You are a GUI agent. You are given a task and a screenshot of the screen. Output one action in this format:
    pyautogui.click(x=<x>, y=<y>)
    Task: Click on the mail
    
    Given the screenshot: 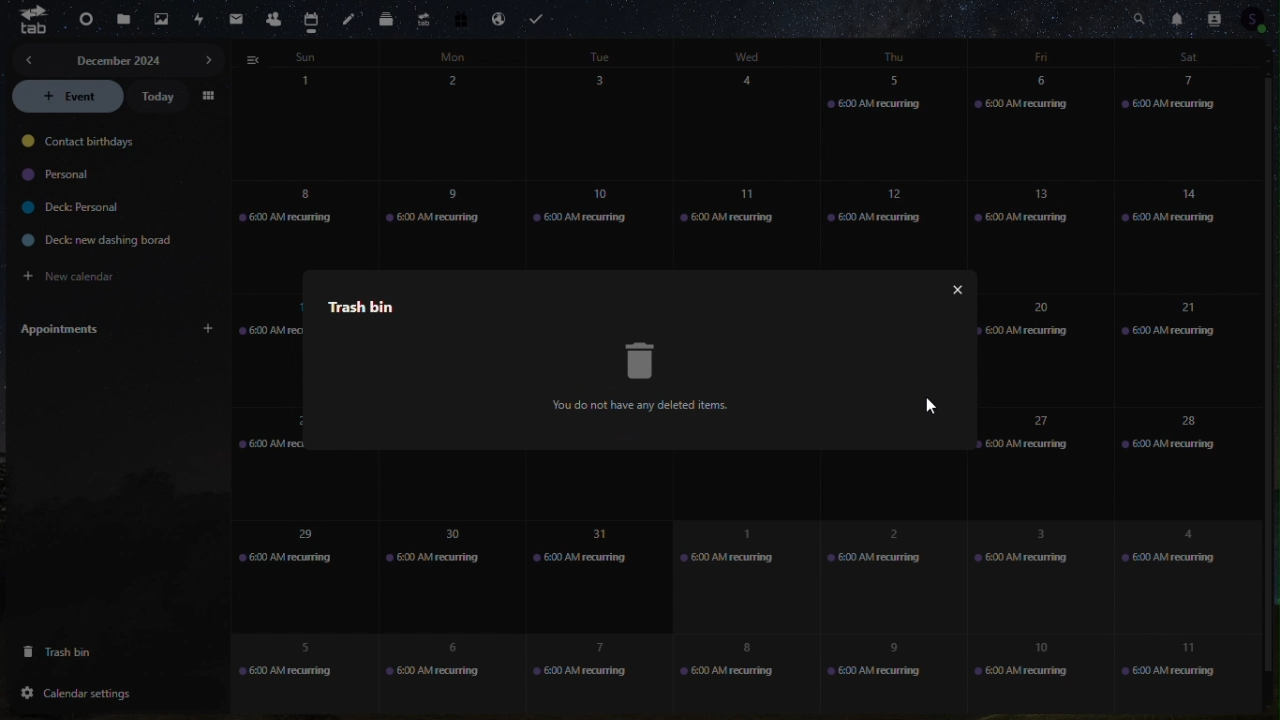 What is the action you would take?
    pyautogui.click(x=234, y=20)
    